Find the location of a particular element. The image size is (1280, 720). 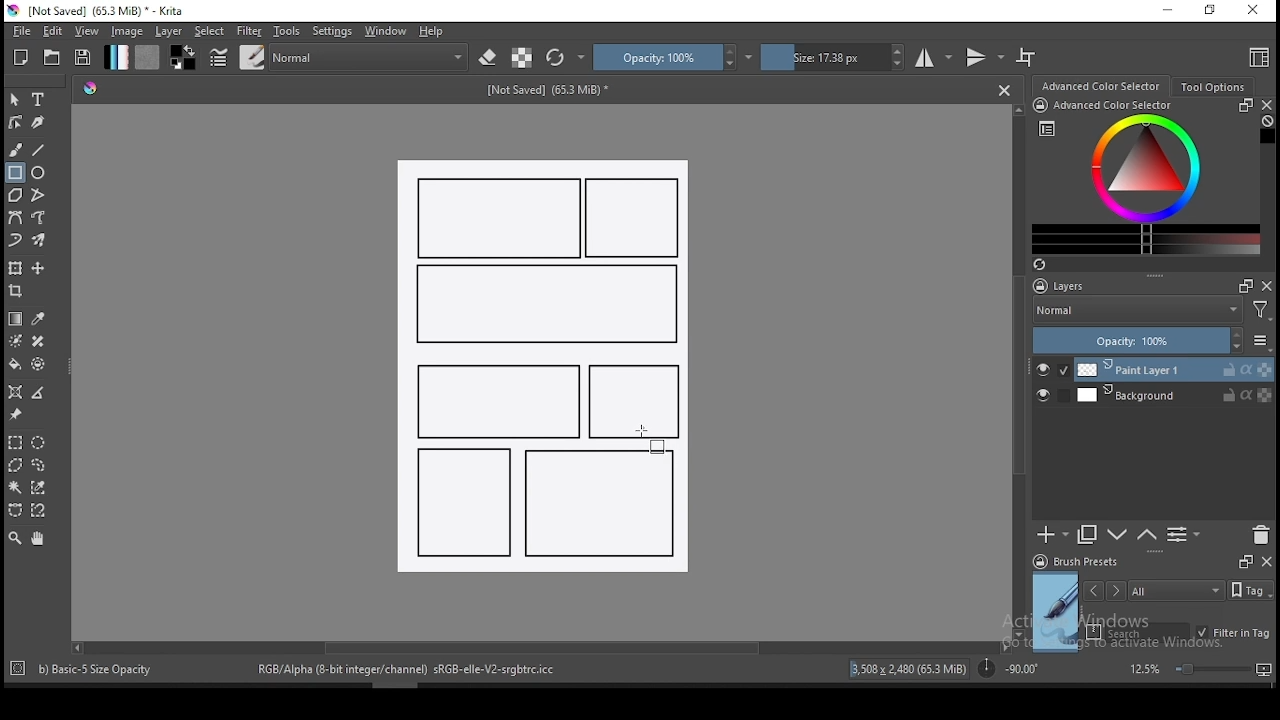

polygon tool is located at coordinates (14, 195).